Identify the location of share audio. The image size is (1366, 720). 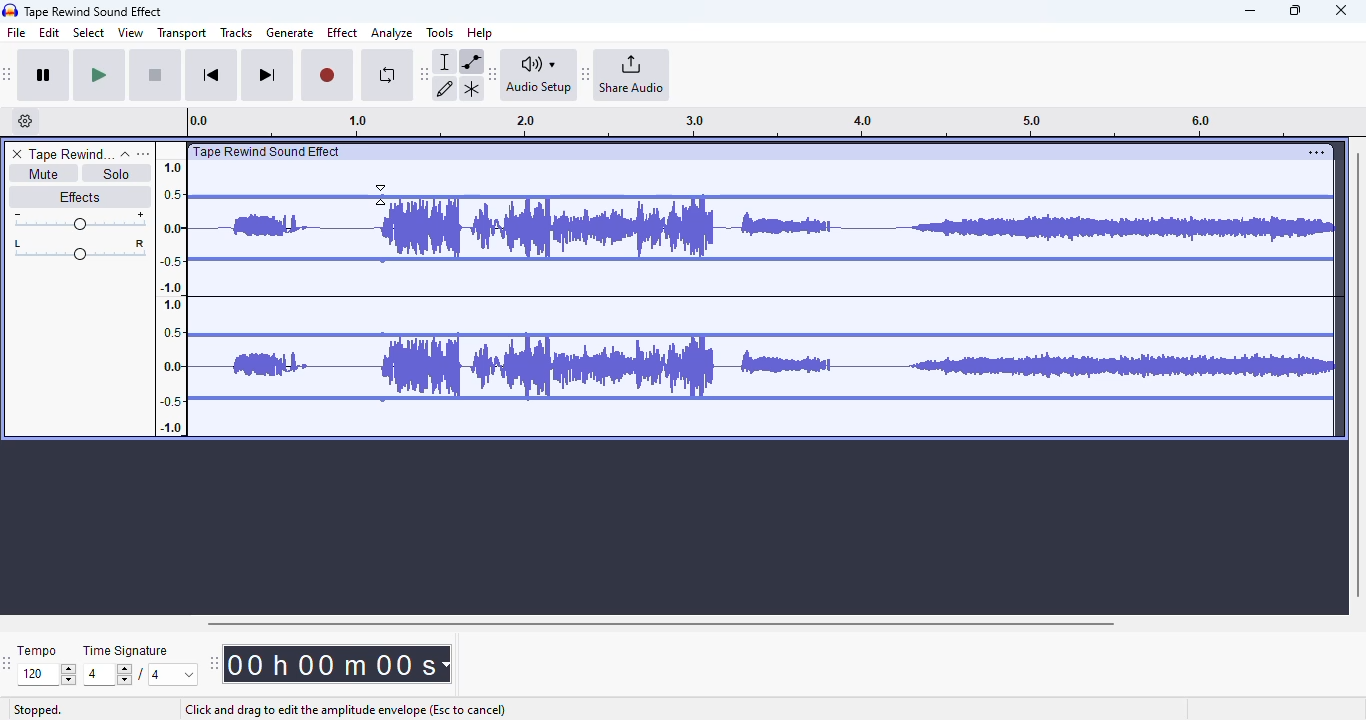
(633, 75).